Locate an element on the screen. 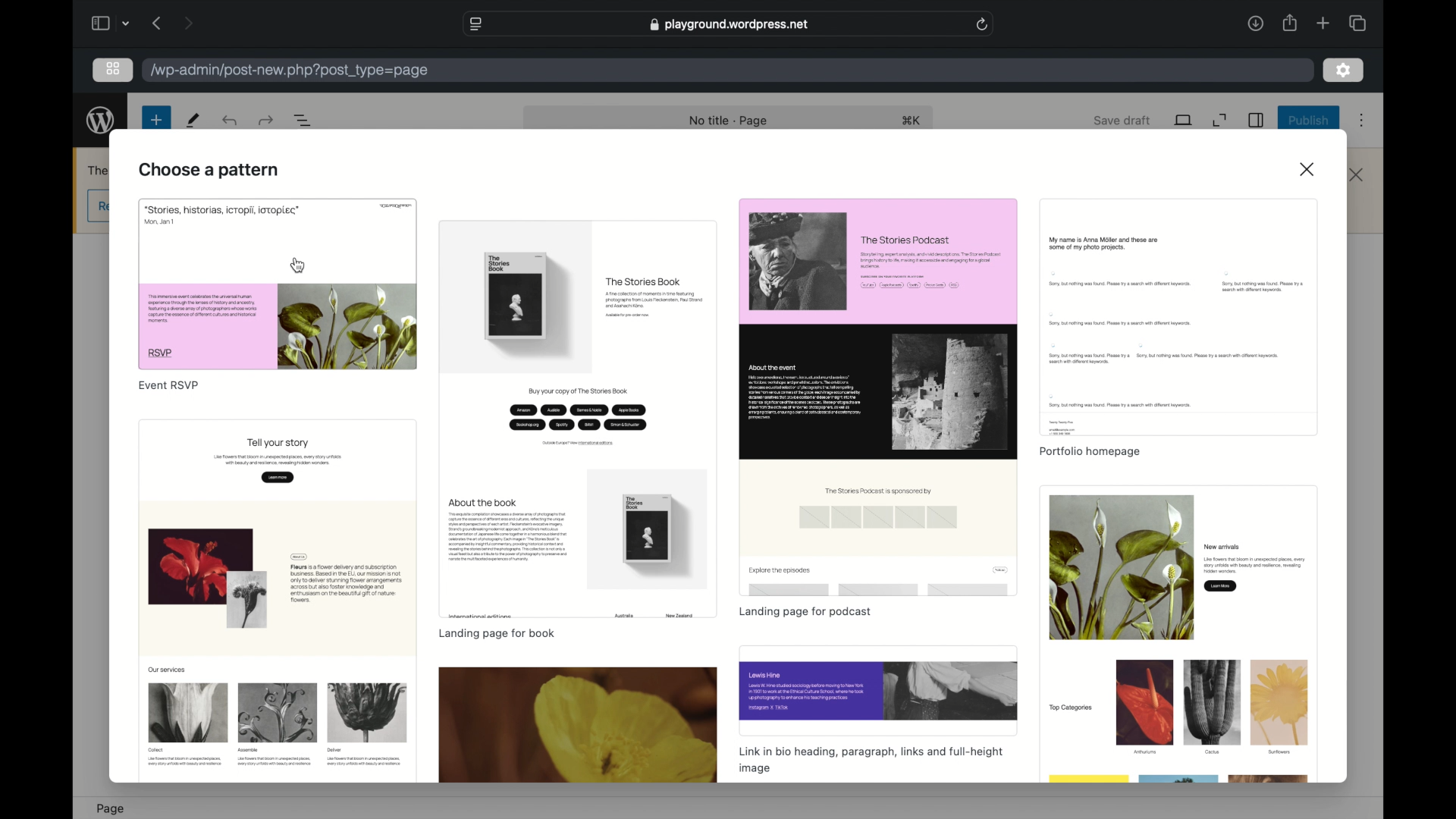 The width and height of the screenshot is (1456, 819). preview is located at coordinates (278, 284).